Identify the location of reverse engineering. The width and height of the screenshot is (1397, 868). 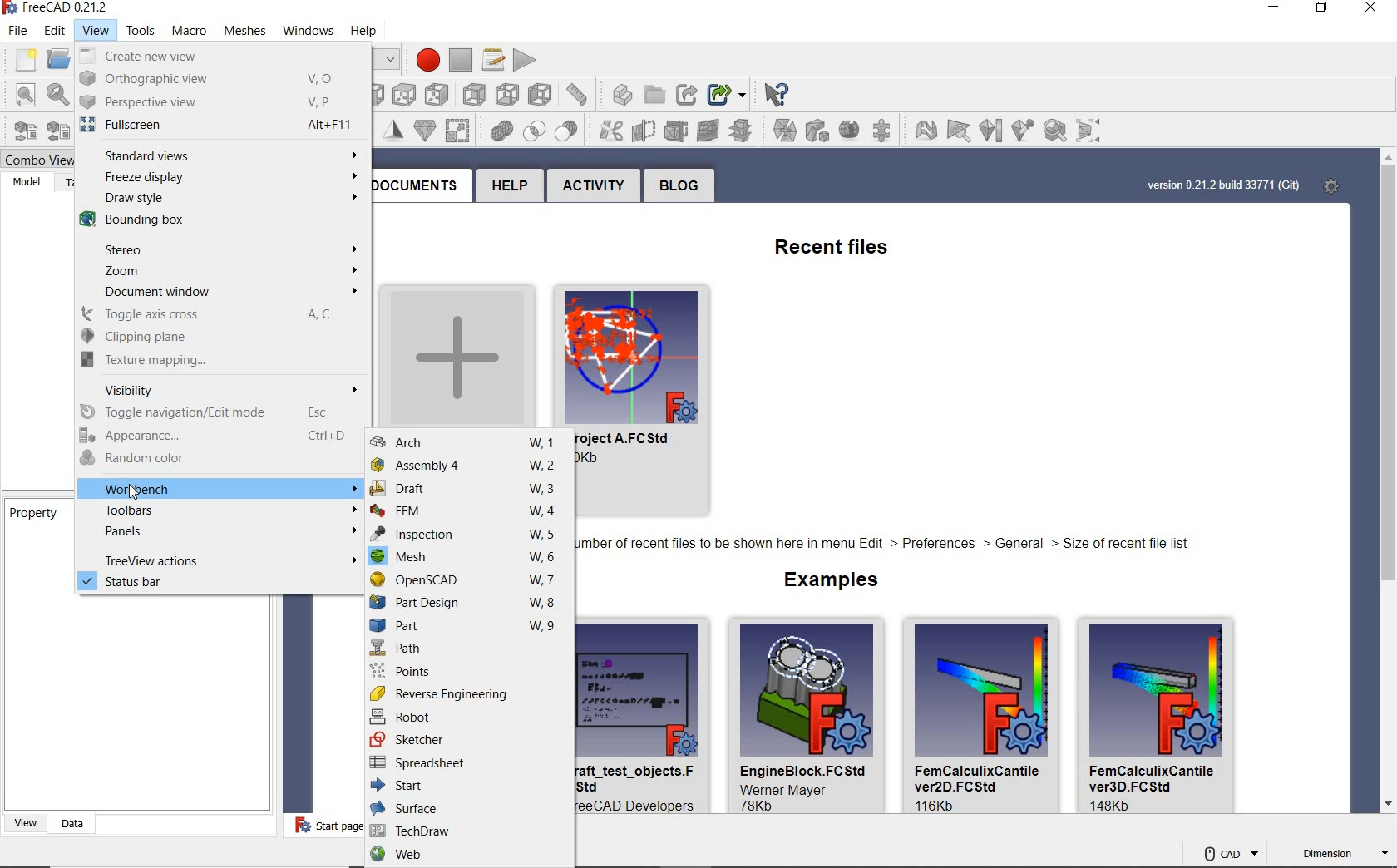
(470, 693).